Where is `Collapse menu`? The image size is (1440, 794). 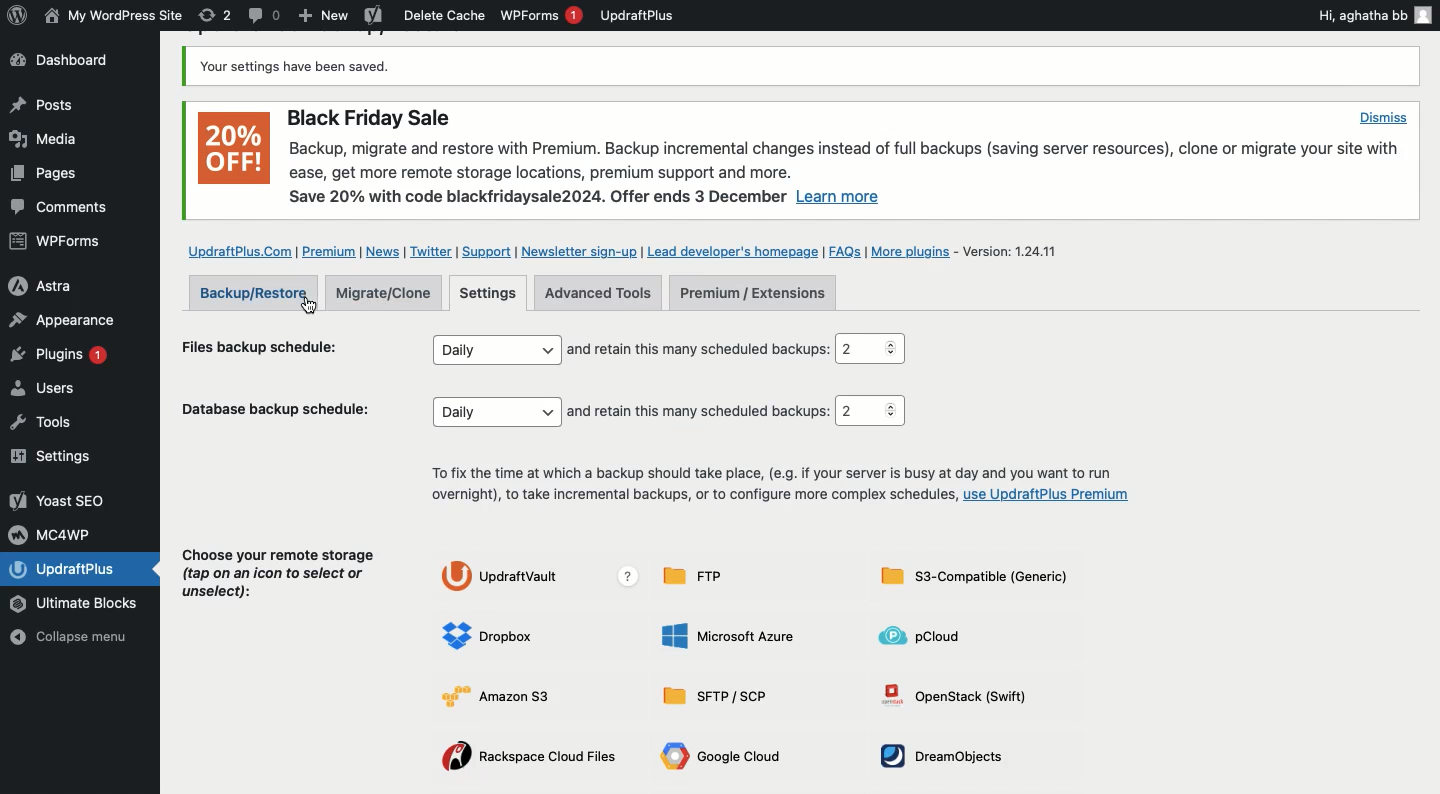 Collapse menu is located at coordinates (82, 637).